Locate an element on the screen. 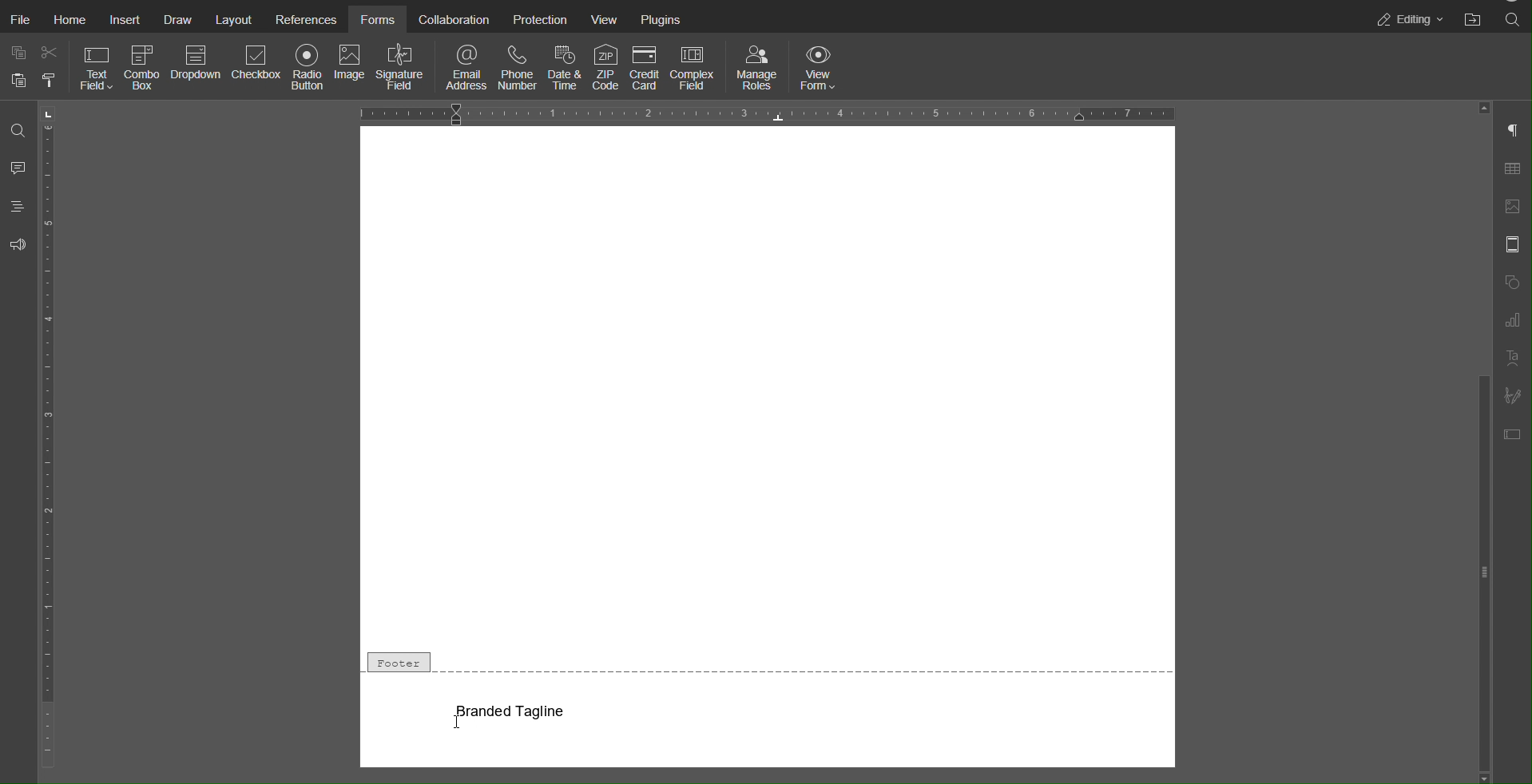  Plugins is located at coordinates (663, 18).